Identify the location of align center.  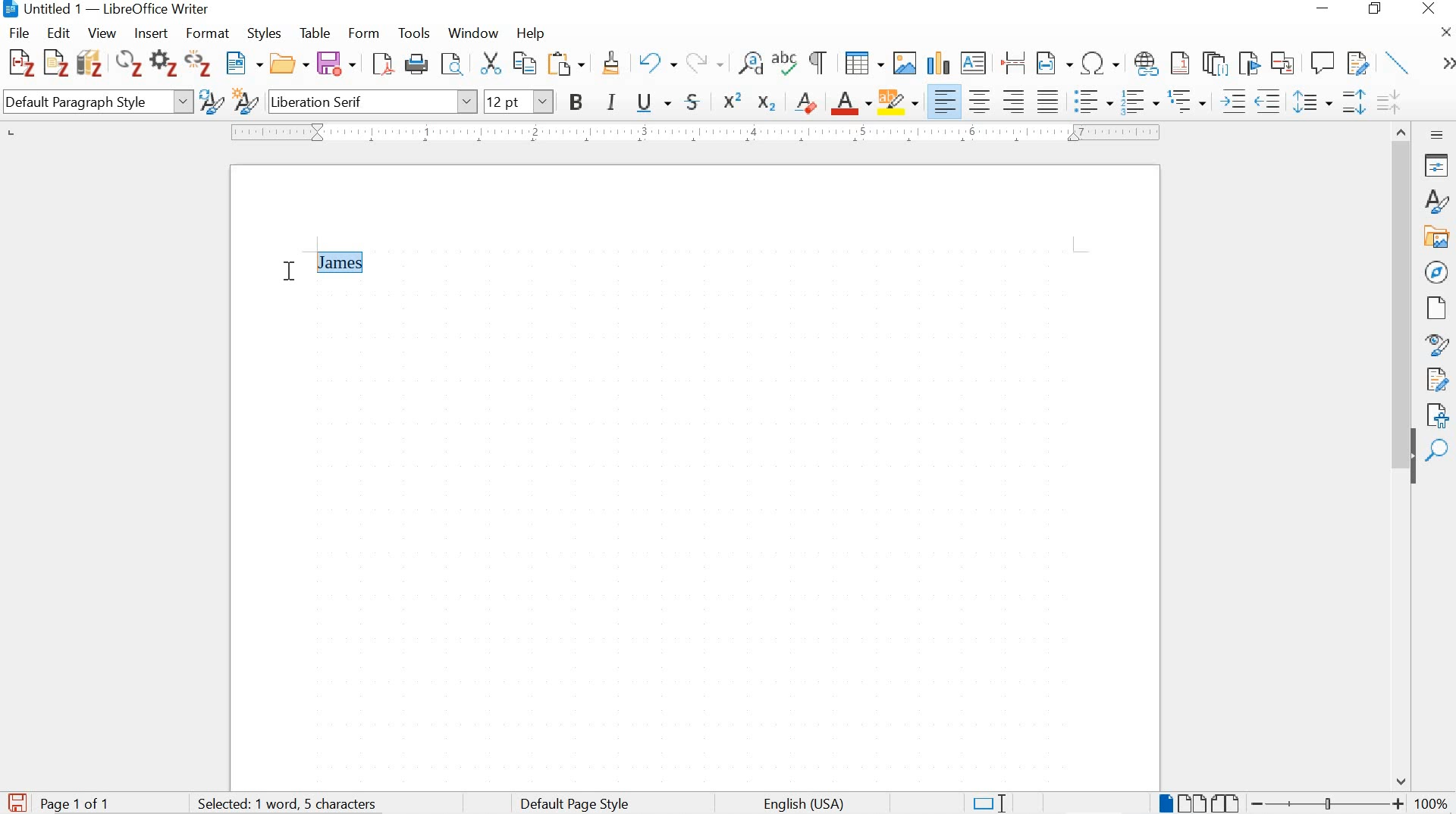
(980, 101).